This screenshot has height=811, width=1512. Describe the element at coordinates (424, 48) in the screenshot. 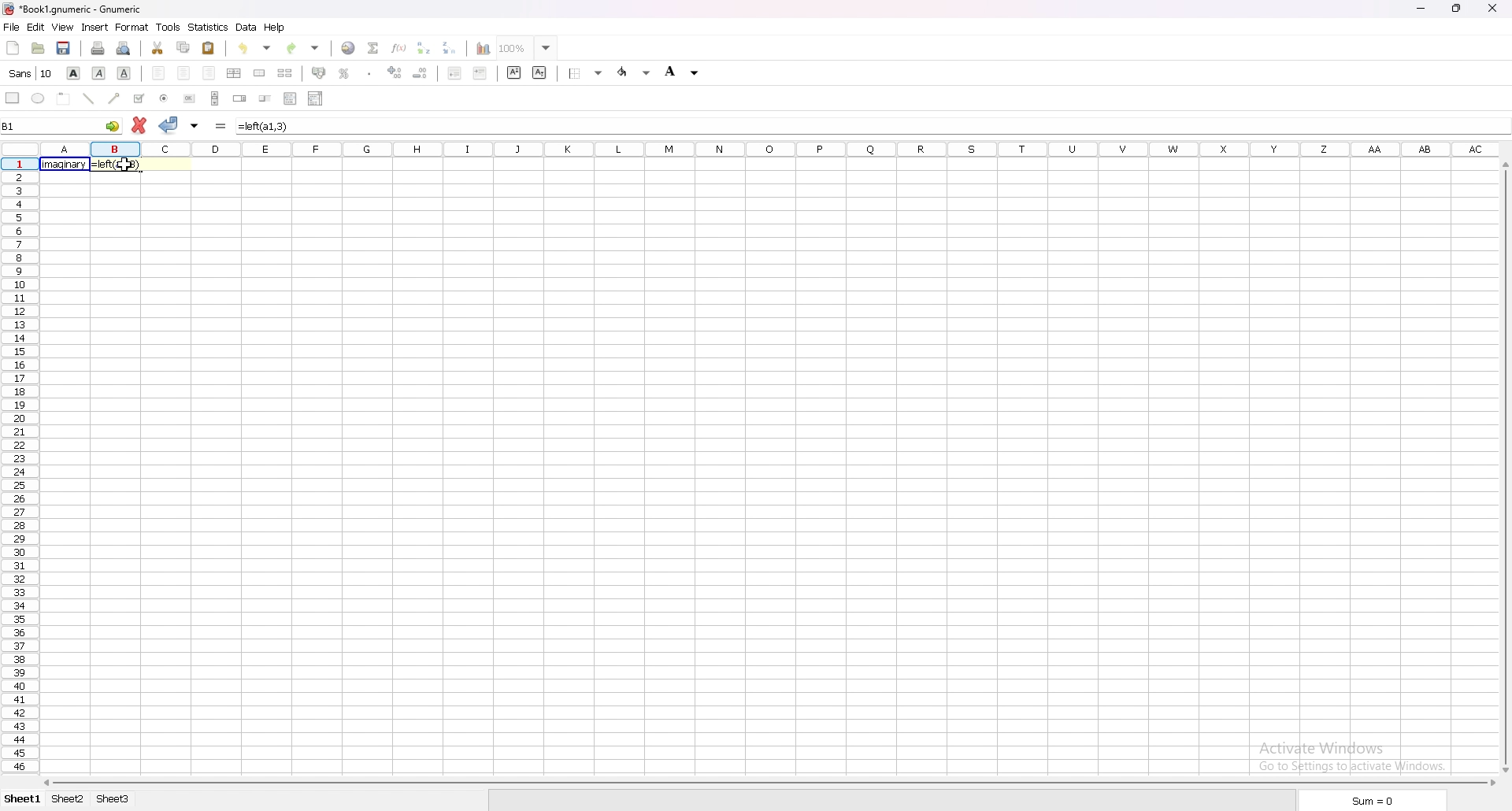

I see `sort ascending` at that location.